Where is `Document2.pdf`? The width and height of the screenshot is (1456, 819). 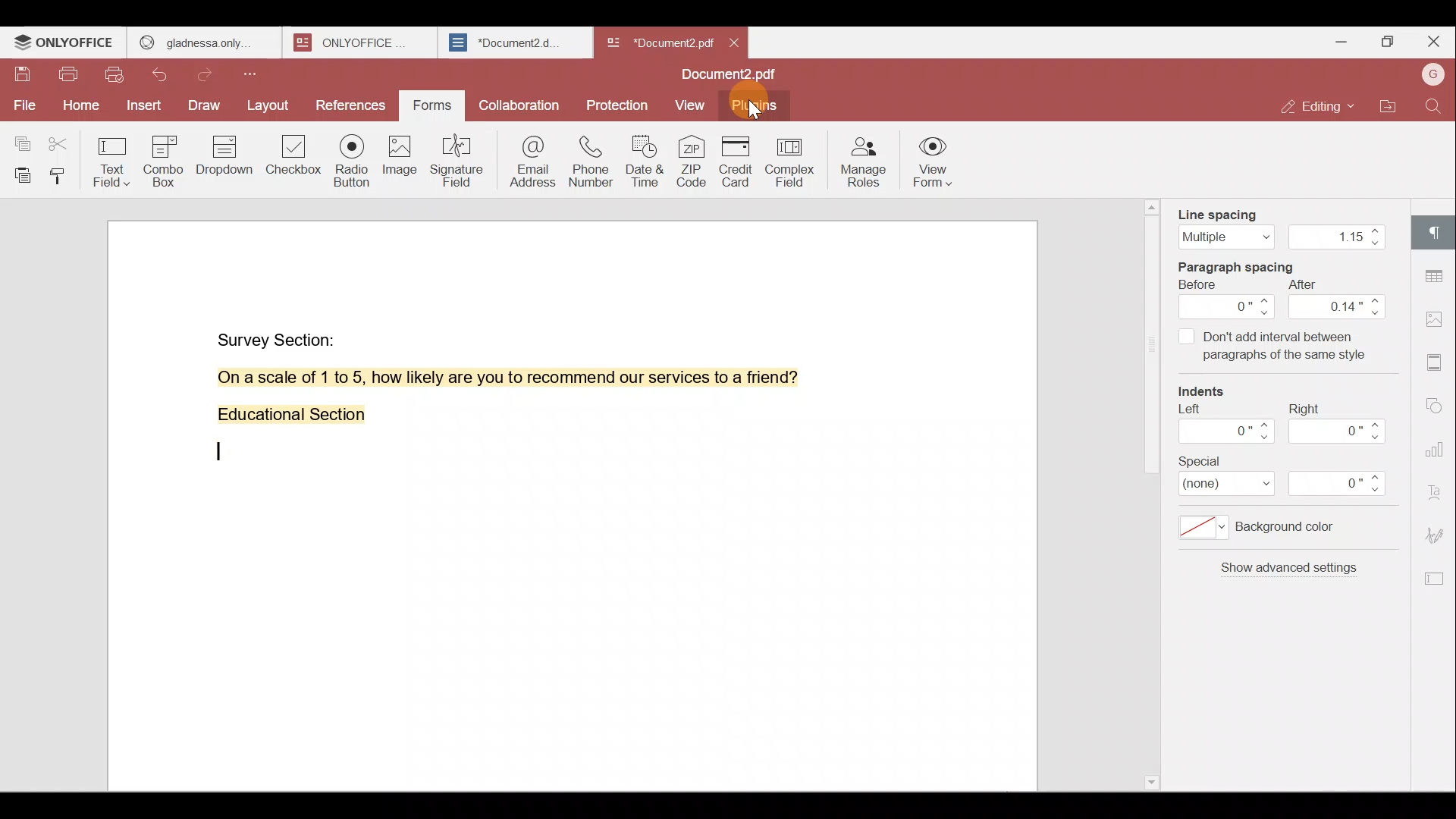 Document2.pdf is located at coordinates (657, 42).